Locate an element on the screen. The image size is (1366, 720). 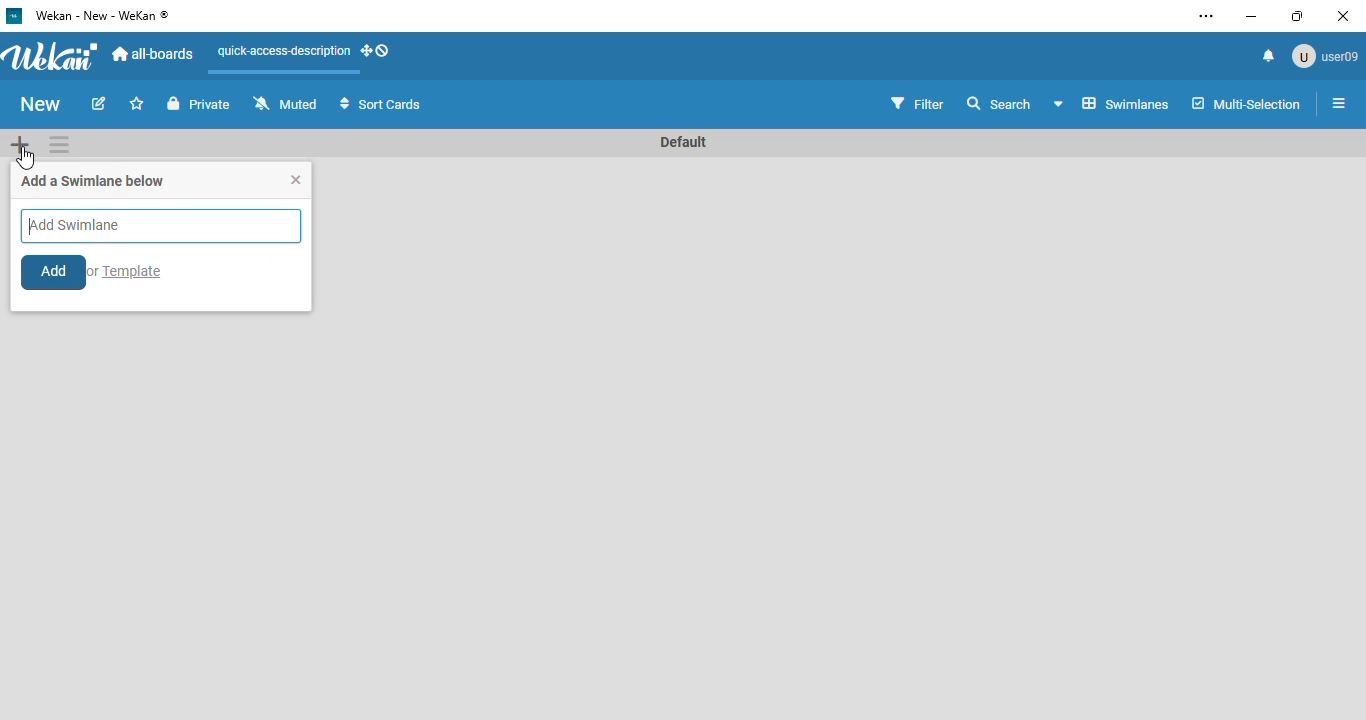
multi-selection is located at coordinates (1246, 104).